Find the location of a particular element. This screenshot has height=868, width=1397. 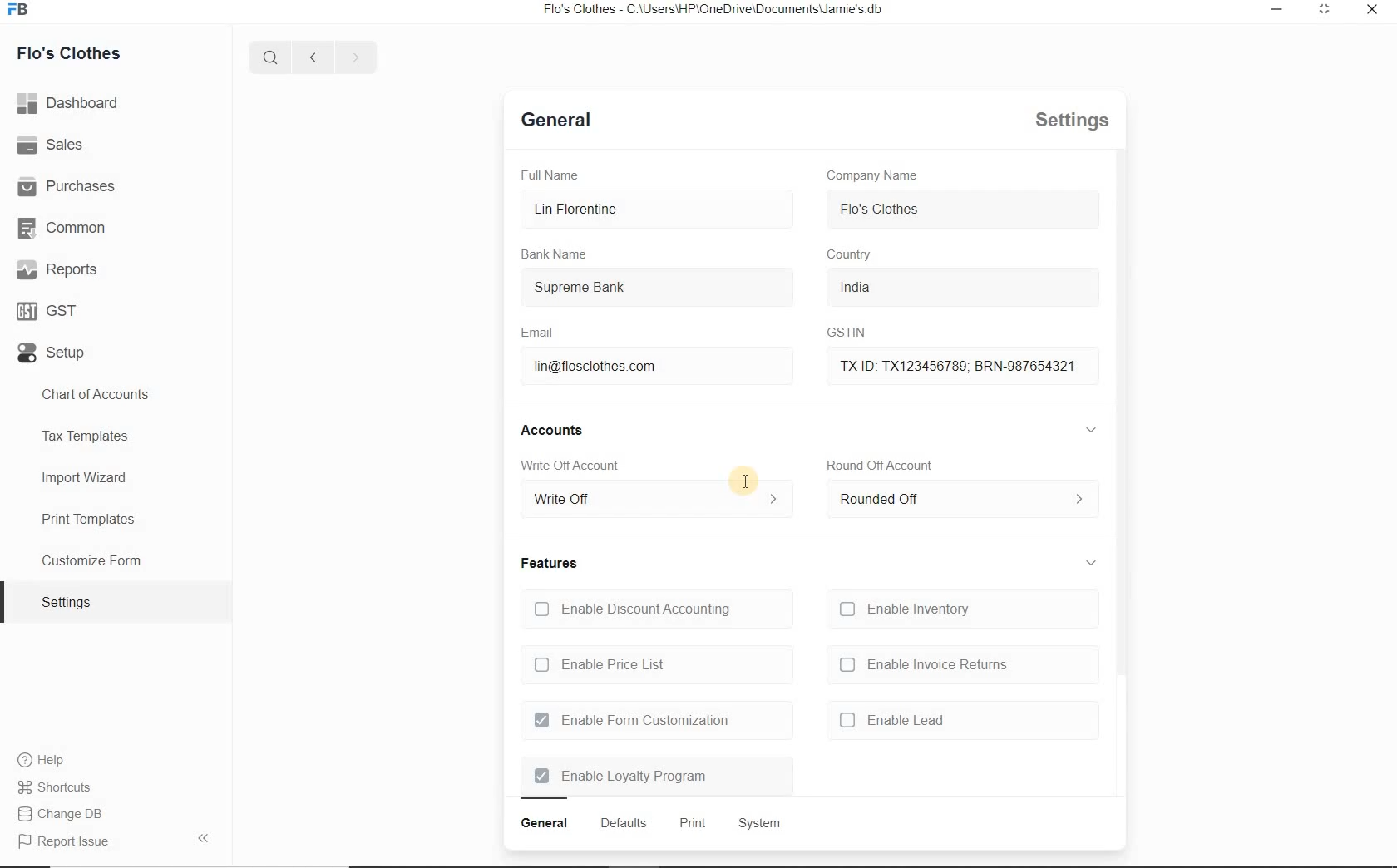

Enable Lead is located at coordinates (907, 720).